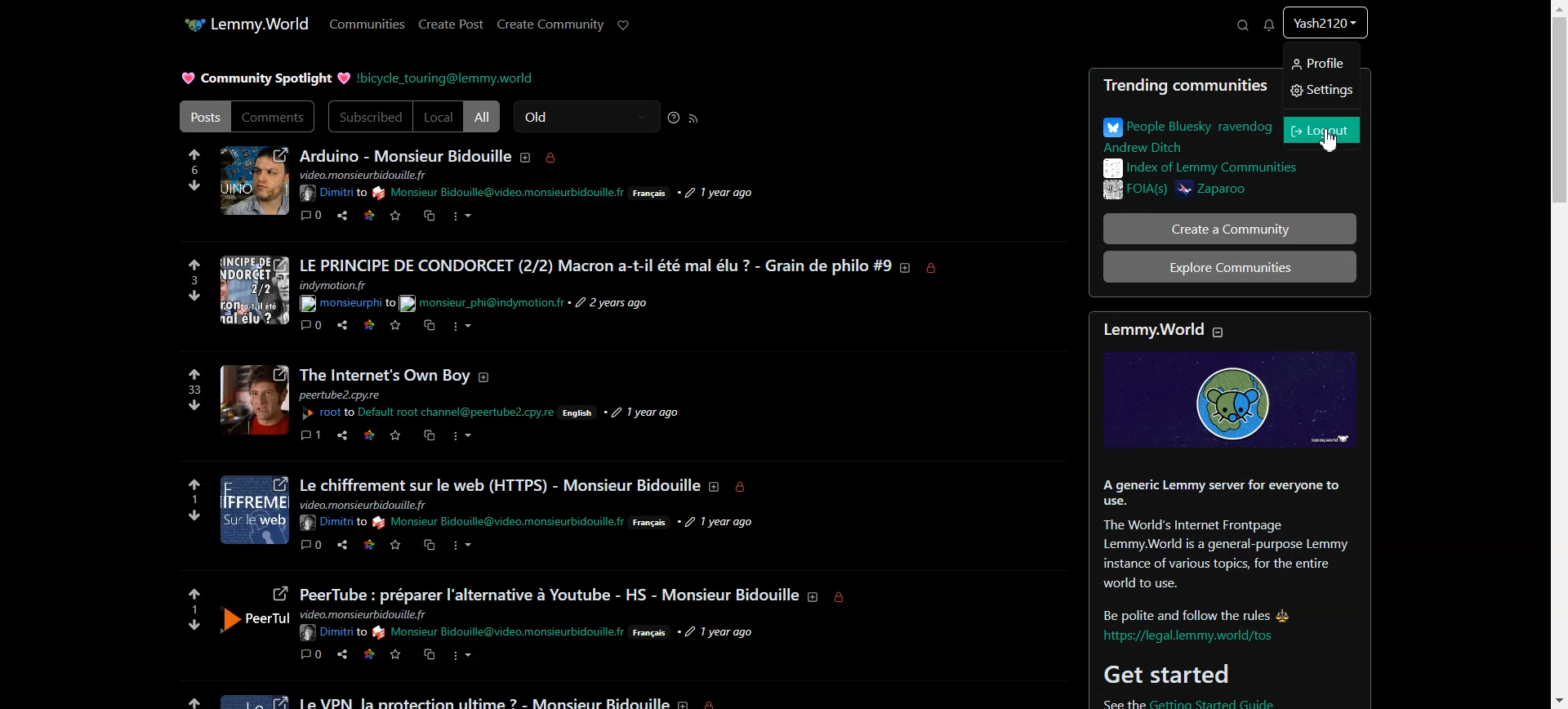 Image resolution: width=1568 pixels, height=709 pixels. What do you see at coordinates (430, 216) in the screenshot?
I see `Copy` at bounding box center [430, 216].